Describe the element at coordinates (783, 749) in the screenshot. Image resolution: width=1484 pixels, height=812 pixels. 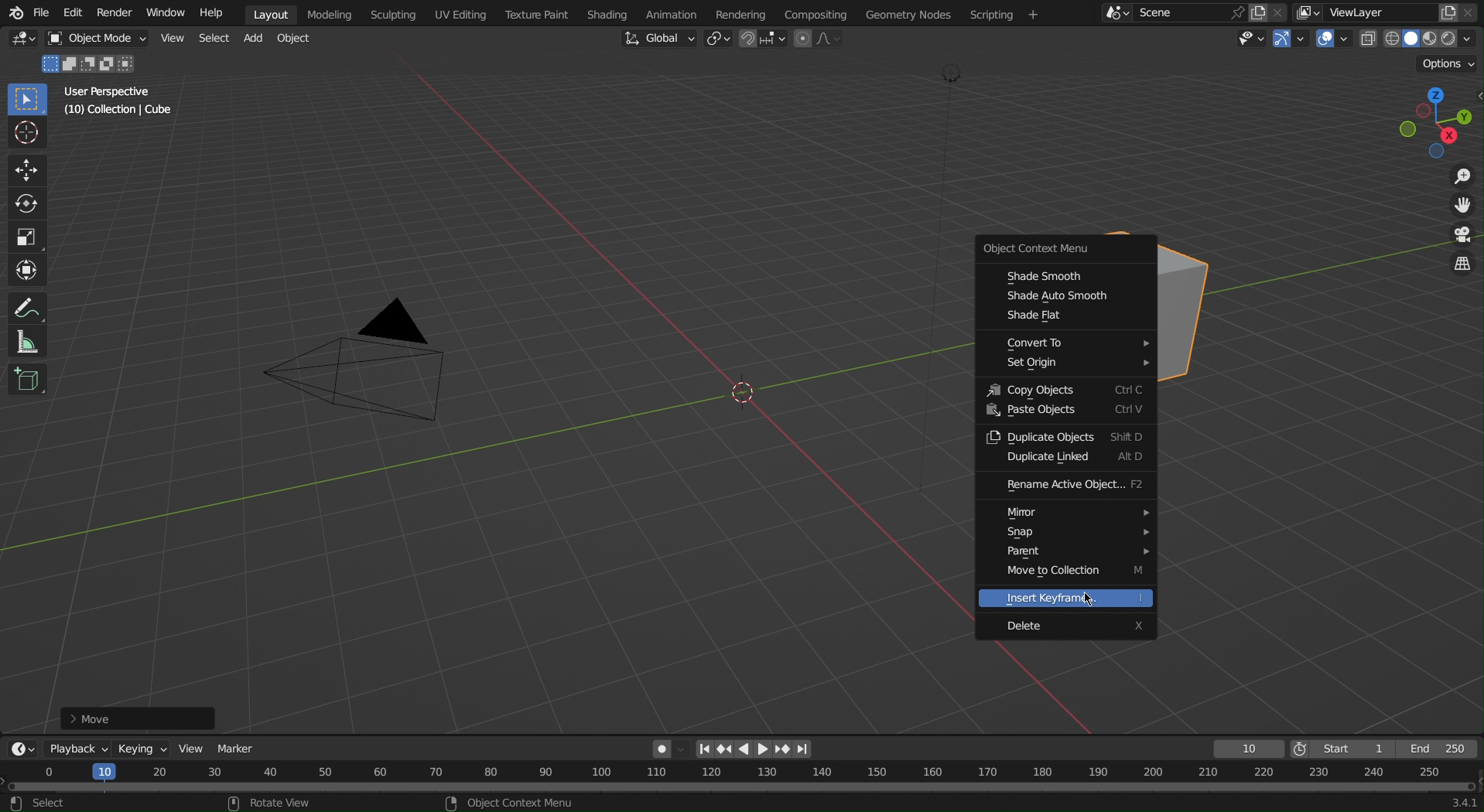
I see `Next` at that location.